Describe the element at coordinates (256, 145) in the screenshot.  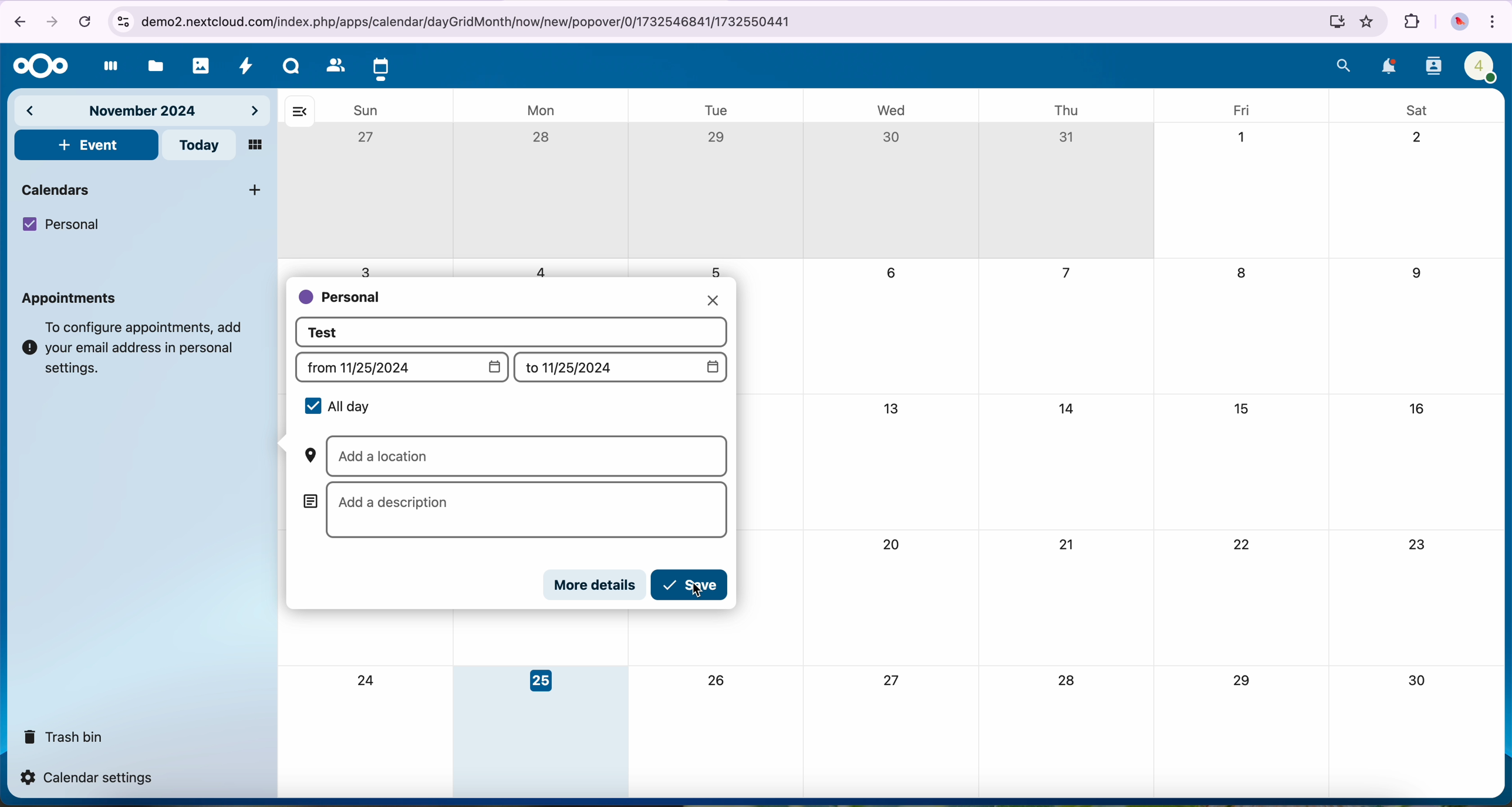
I see `mosaic view` at that location.